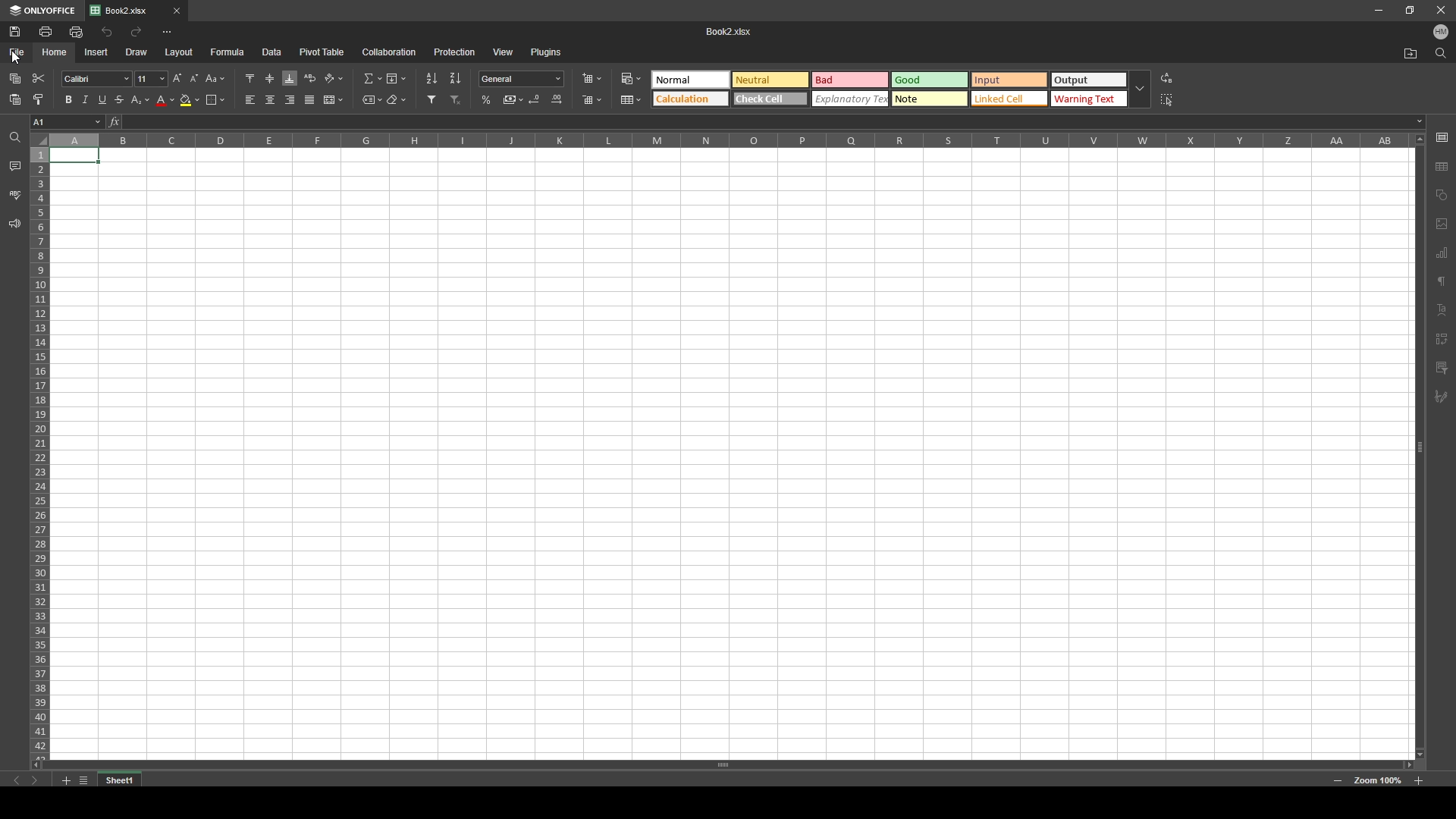  Describe the element at coordinates (1442, 54) in the screenshot. I see `search` at that location.